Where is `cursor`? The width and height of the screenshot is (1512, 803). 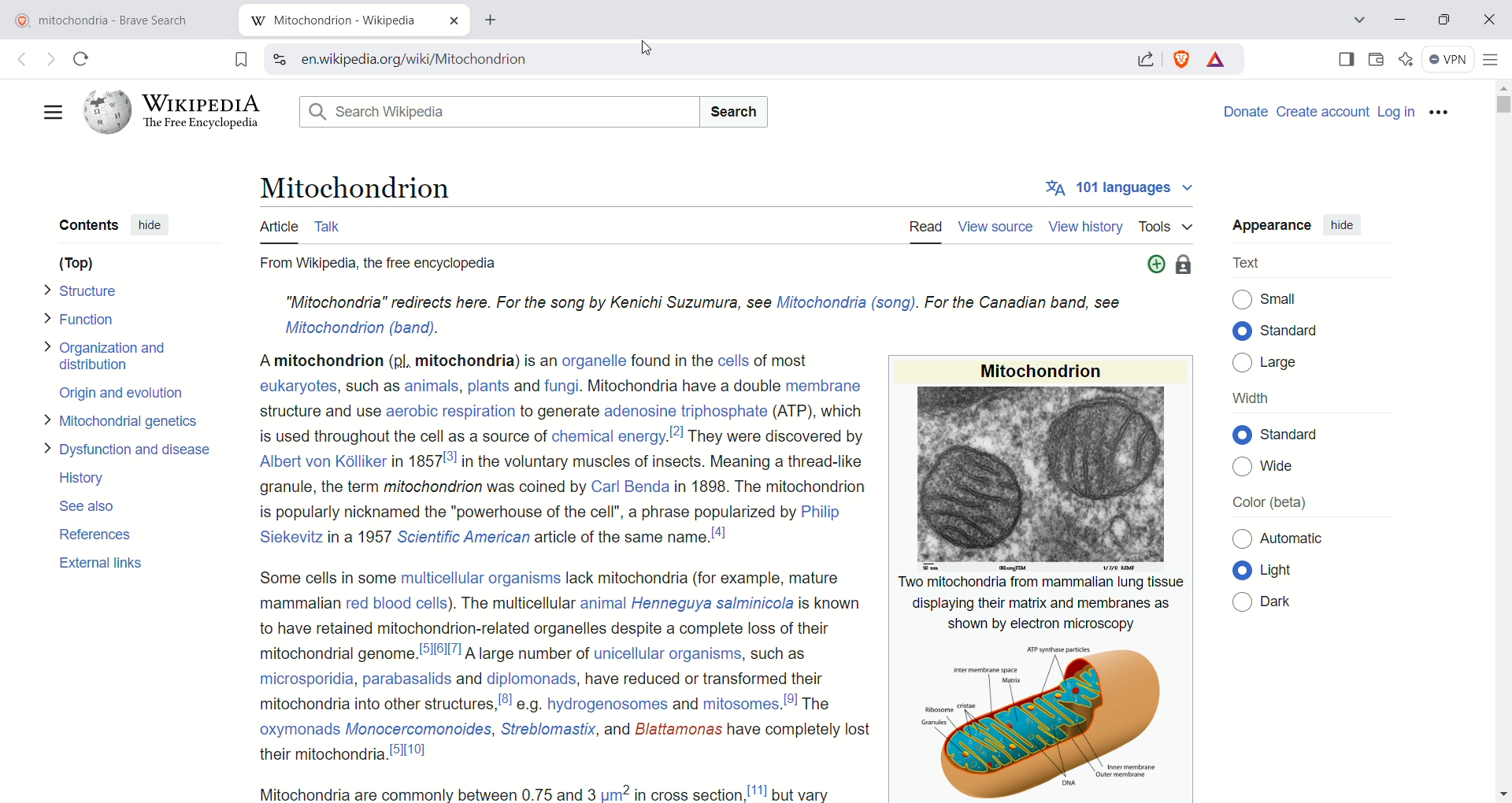 cursor is located at coordinates (647, 47).